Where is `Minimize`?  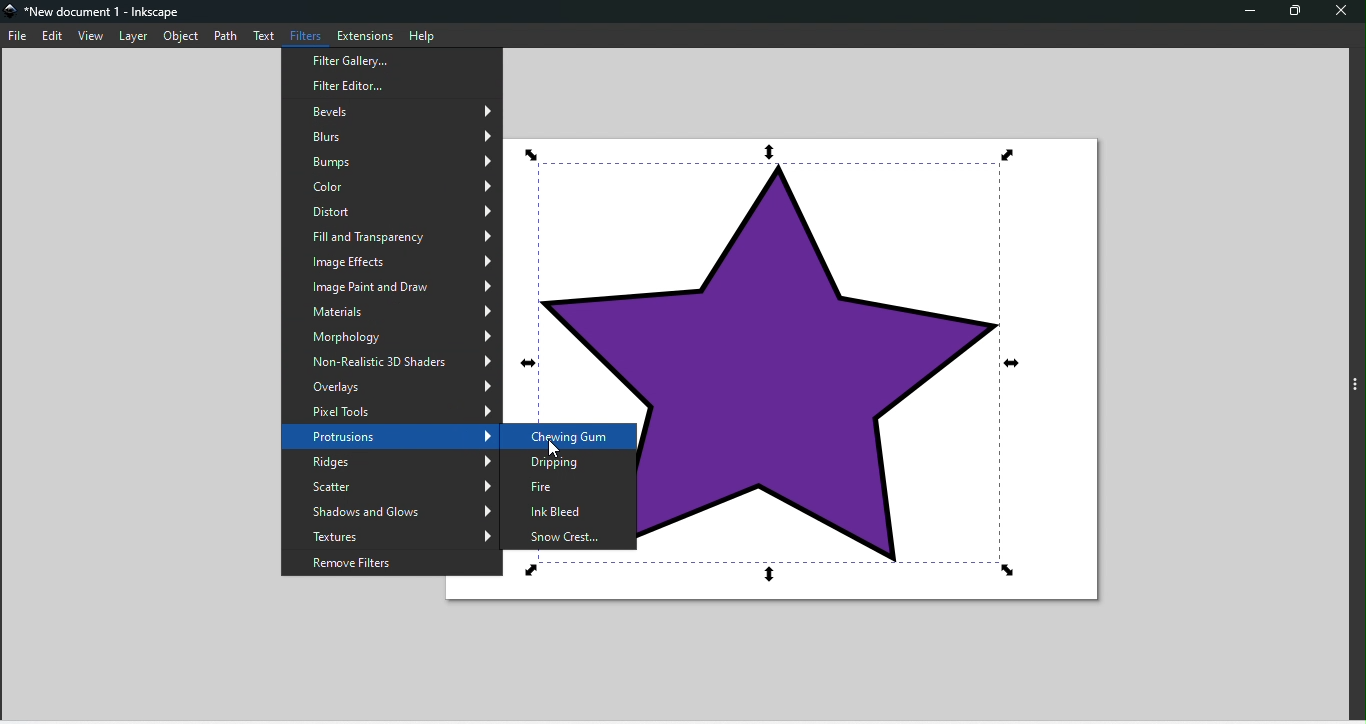 Minimize is located at coordinates (1251, 13).